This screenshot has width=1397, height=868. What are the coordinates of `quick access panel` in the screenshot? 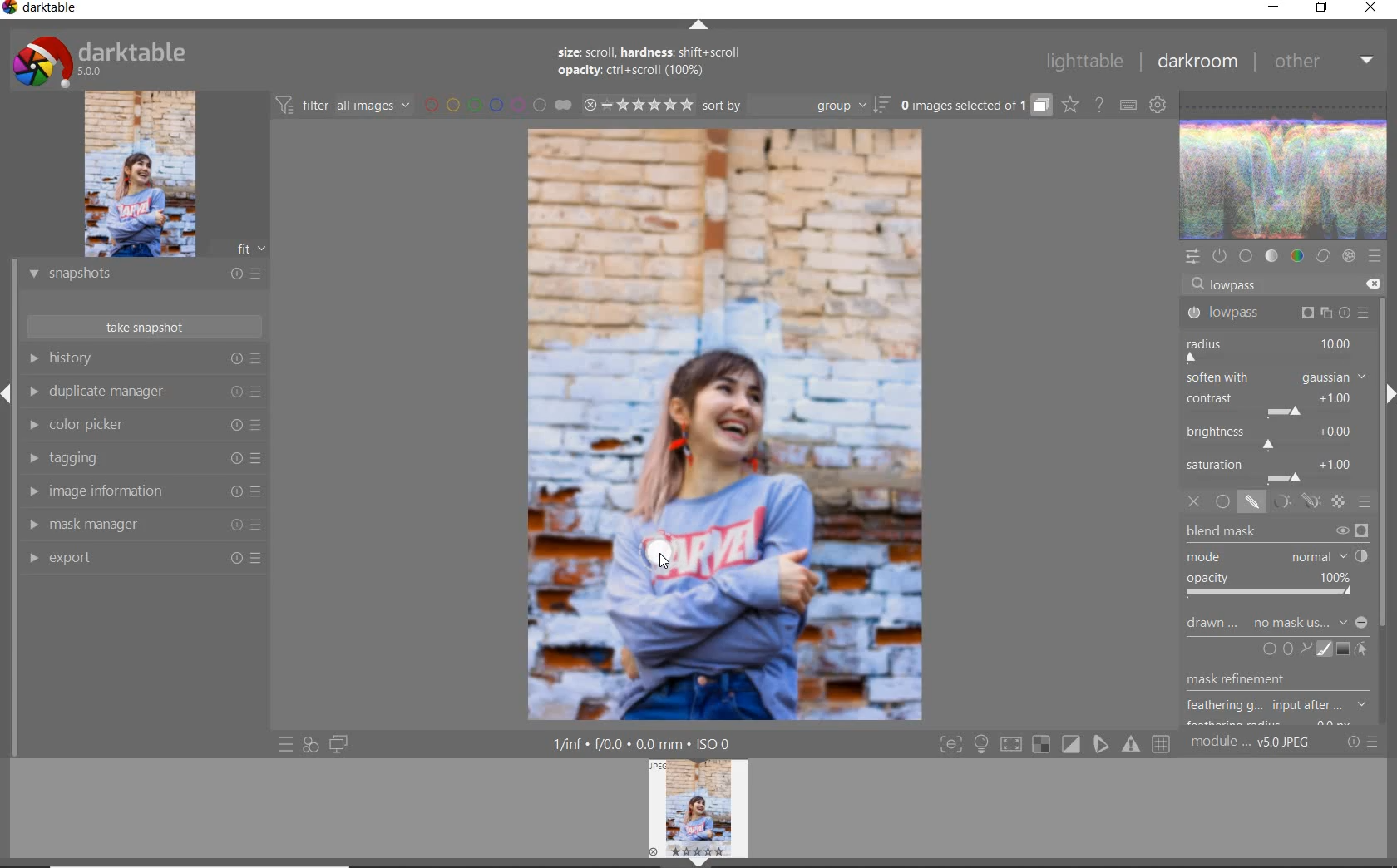 It's located at (1194, 254).